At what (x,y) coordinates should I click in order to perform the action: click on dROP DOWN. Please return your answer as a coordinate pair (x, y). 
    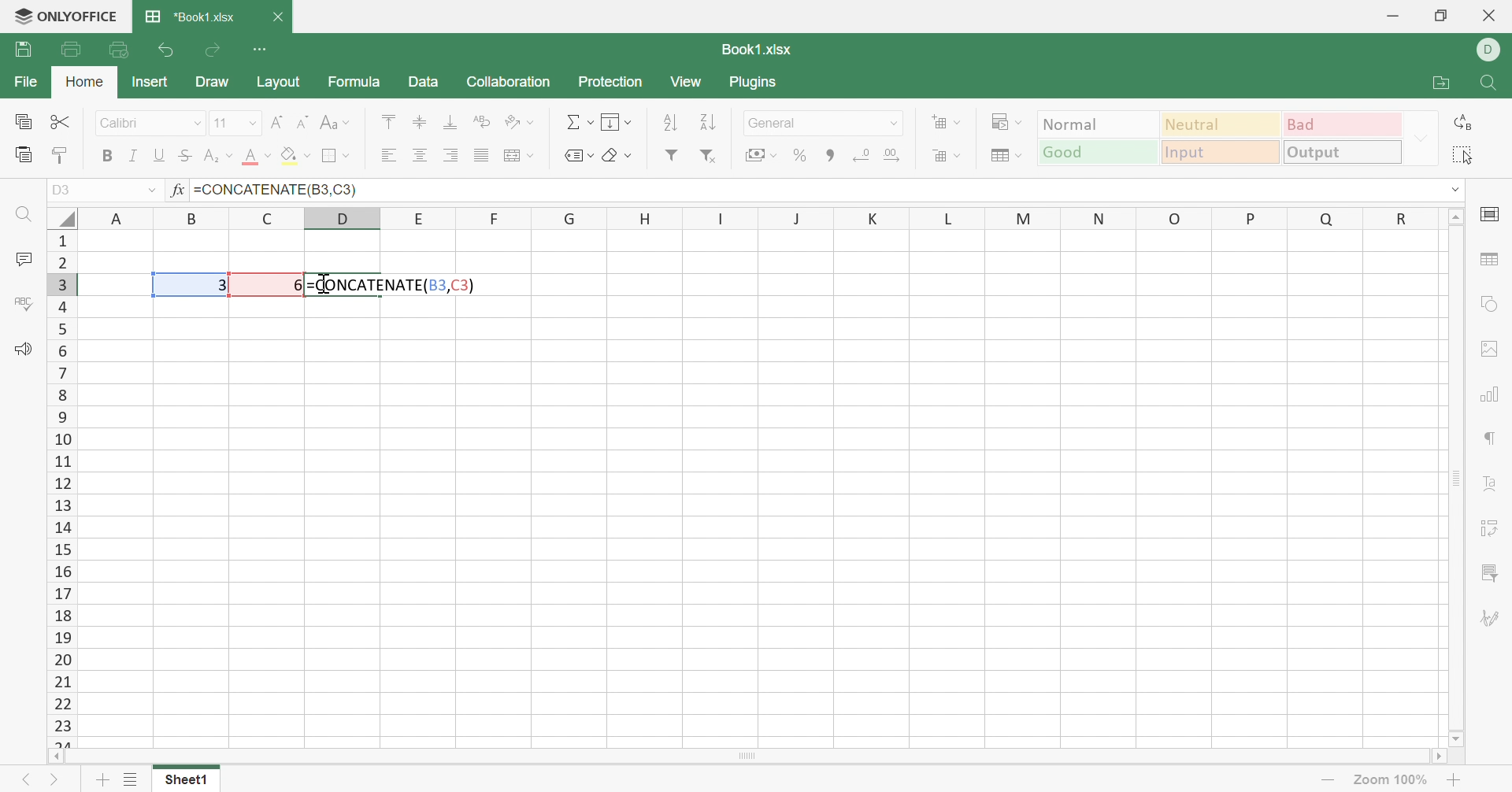
    Looking at the image, I should click on (1458, 191).